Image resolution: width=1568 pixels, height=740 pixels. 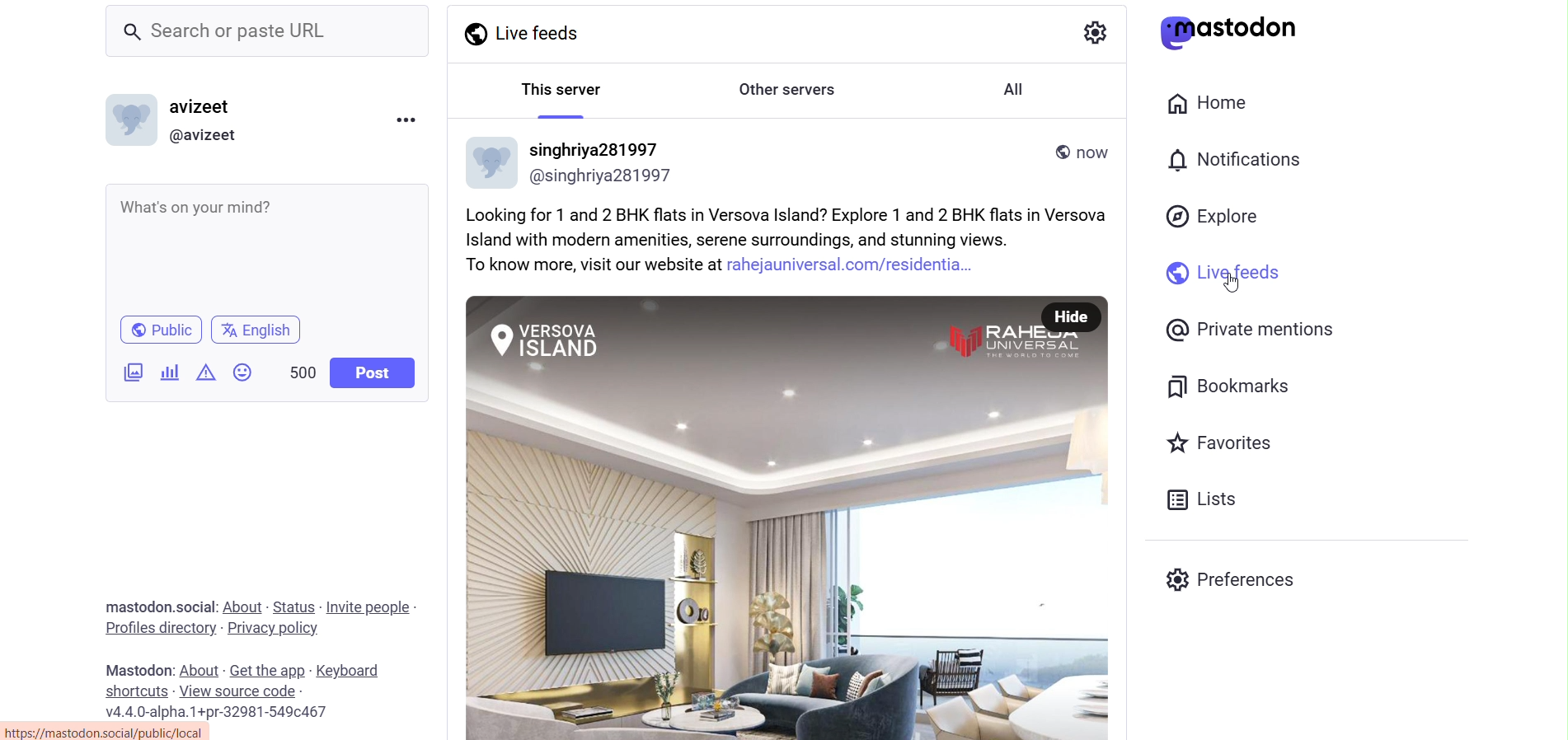 What do you see at coordinates (560, 87) in the screenshot?
I see `This Server` at bounding box center [560, 87].